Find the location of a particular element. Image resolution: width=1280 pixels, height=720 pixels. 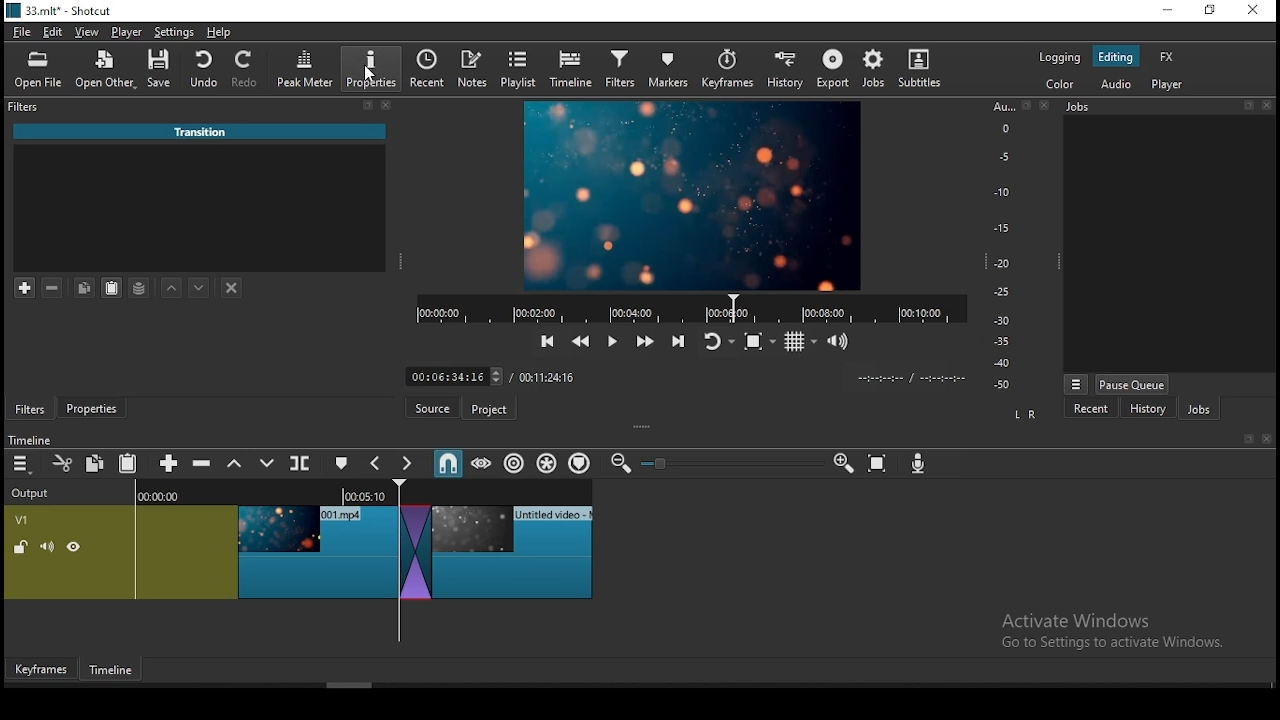

toggle zoom is located at coordinates (759, 341).